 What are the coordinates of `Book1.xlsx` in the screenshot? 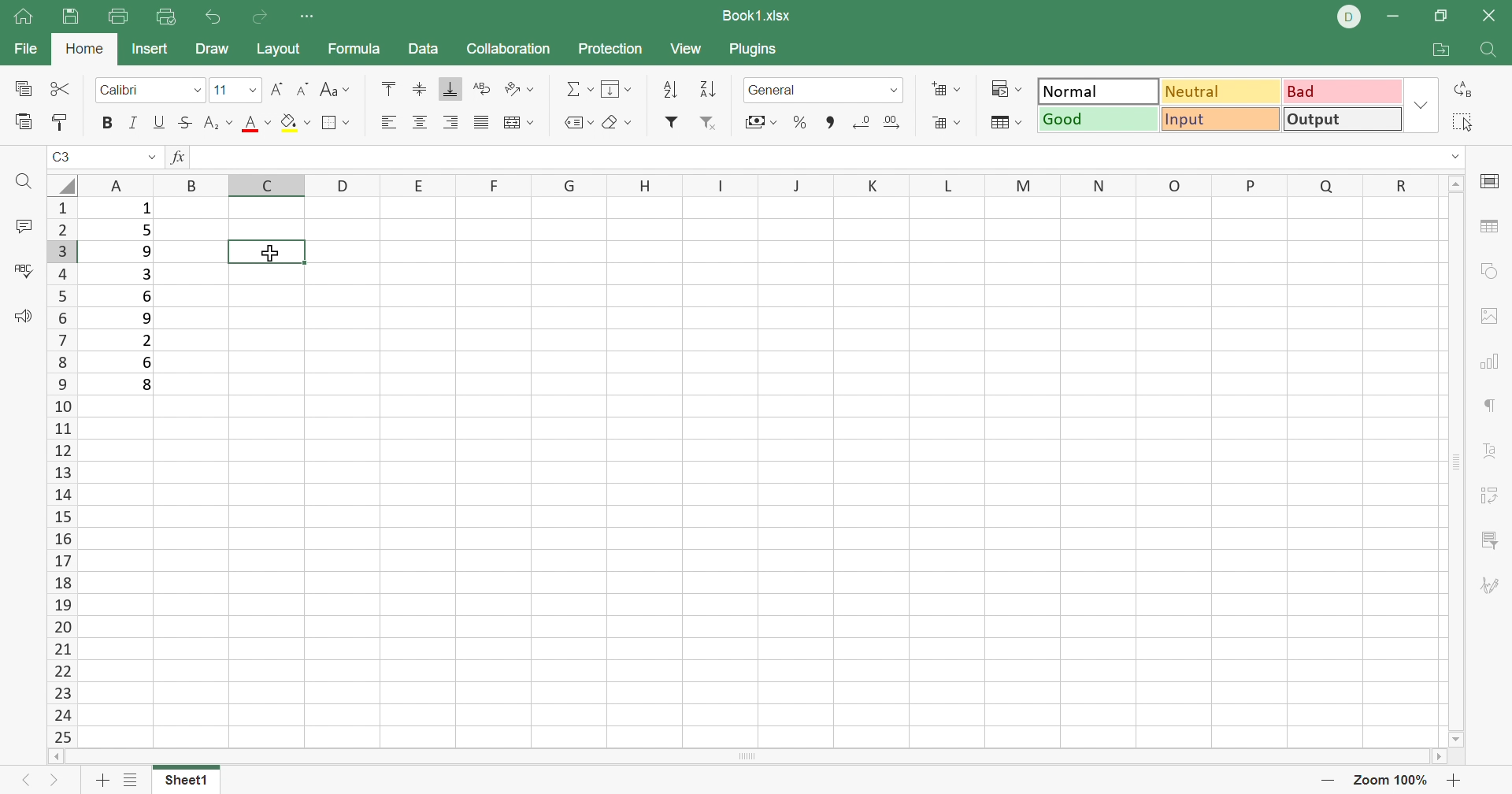 It's located at (757, 13).